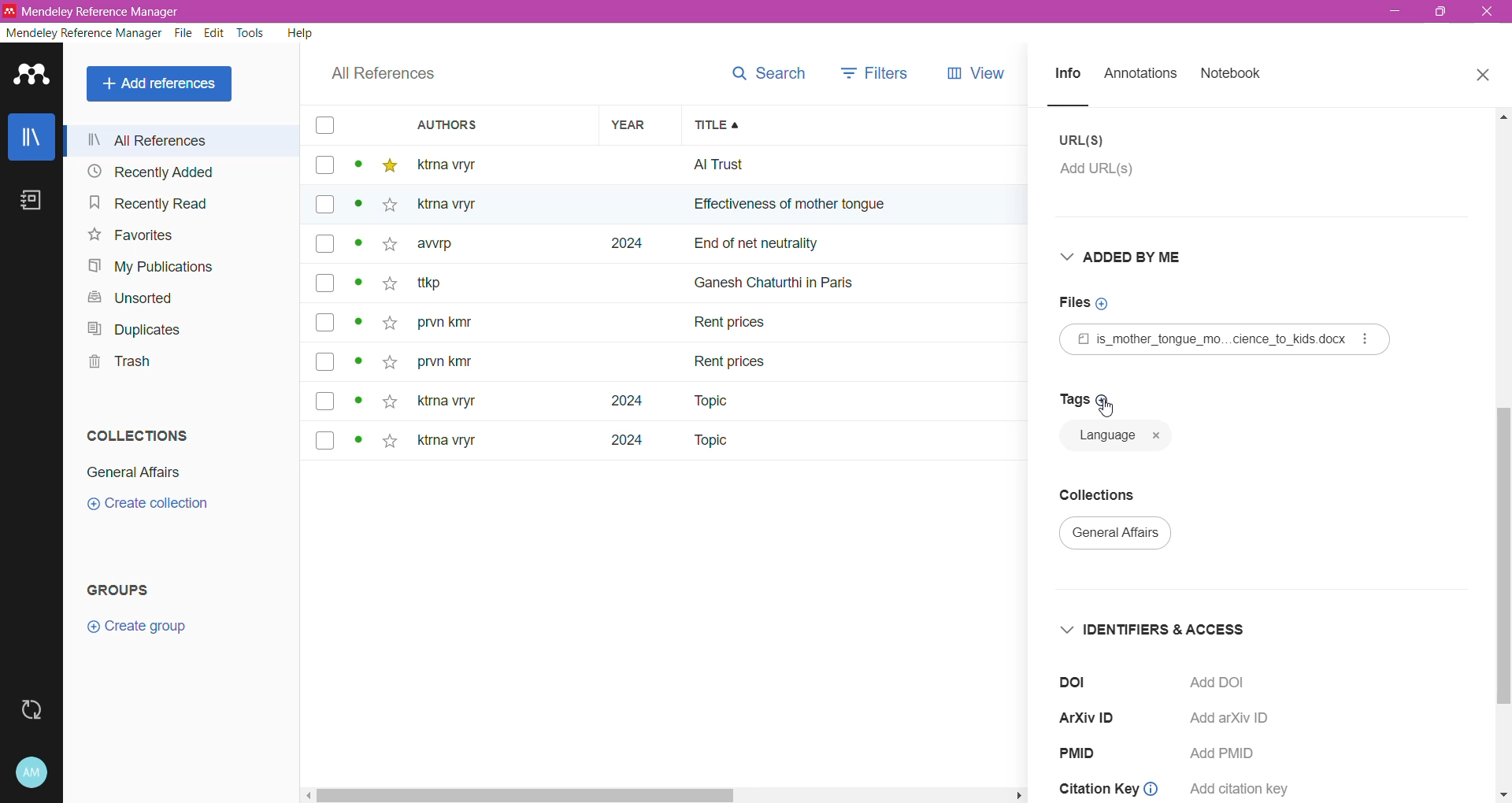 The height and width of the screenshot is (803, 1512). I want to click on Notebook, so click(31, 200).